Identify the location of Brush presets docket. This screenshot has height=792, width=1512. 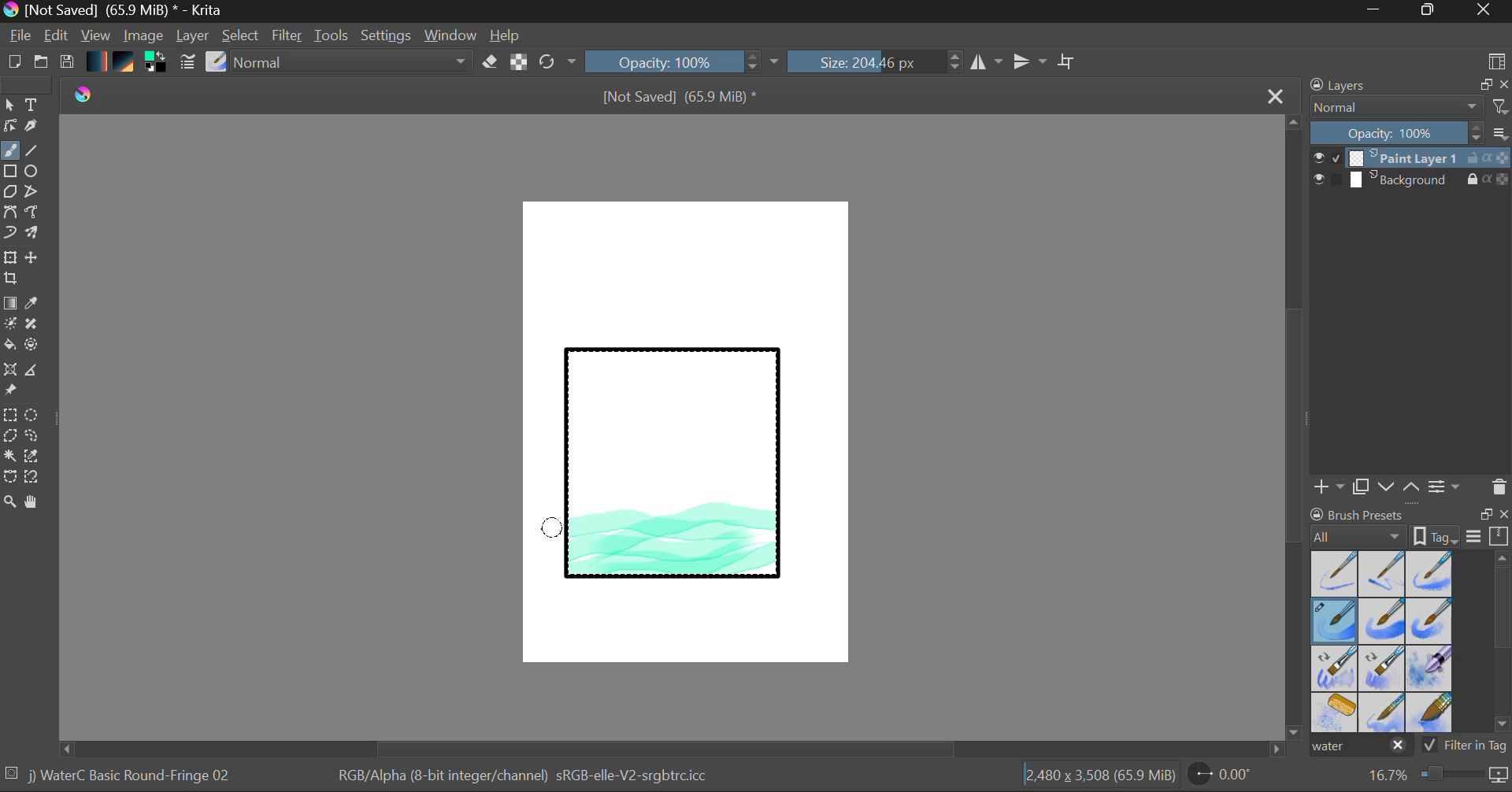
(1410, 525).